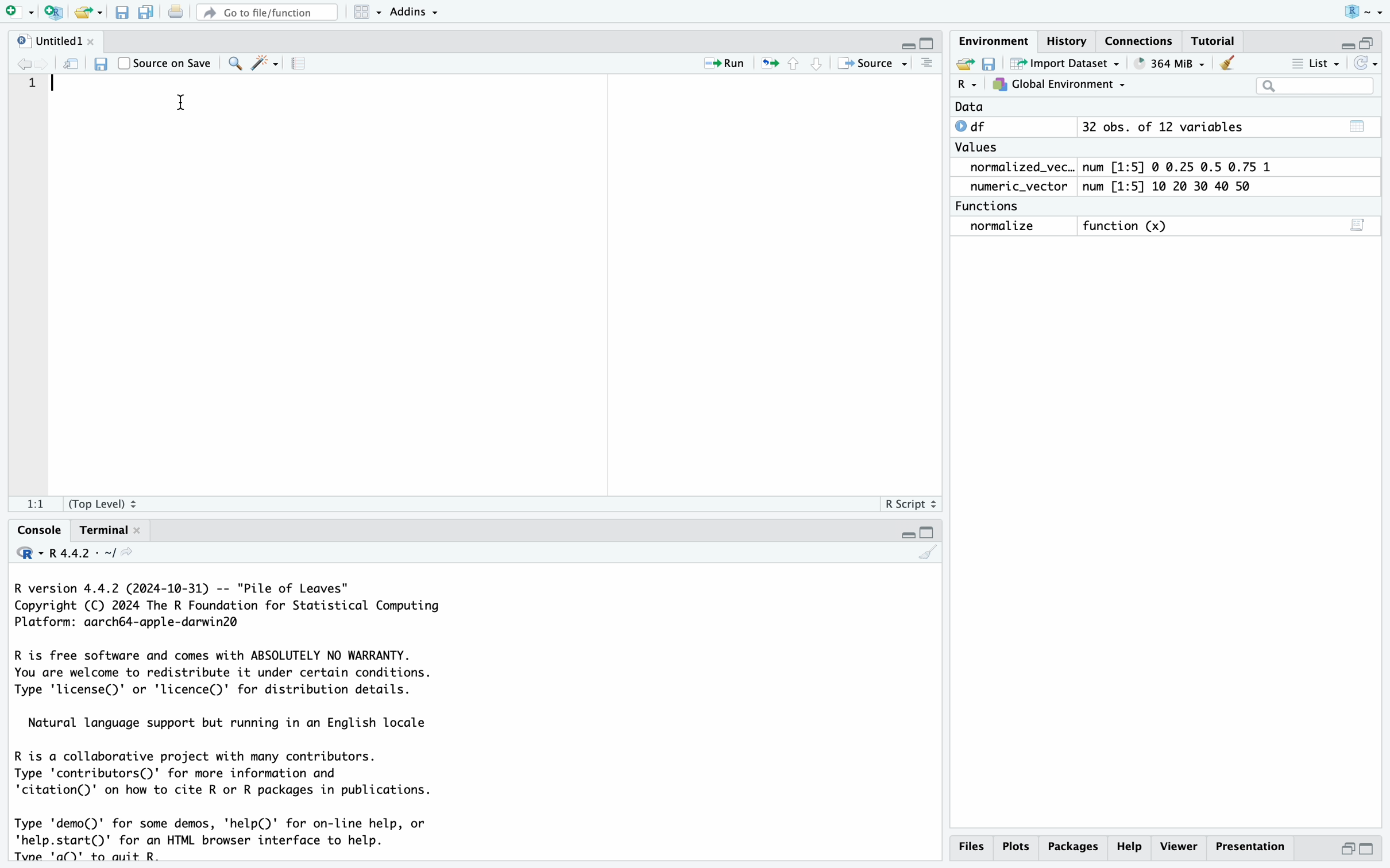  Describe the element at coordinates (266, 11) in the screenshot. I see `Go to file/function` at that location.